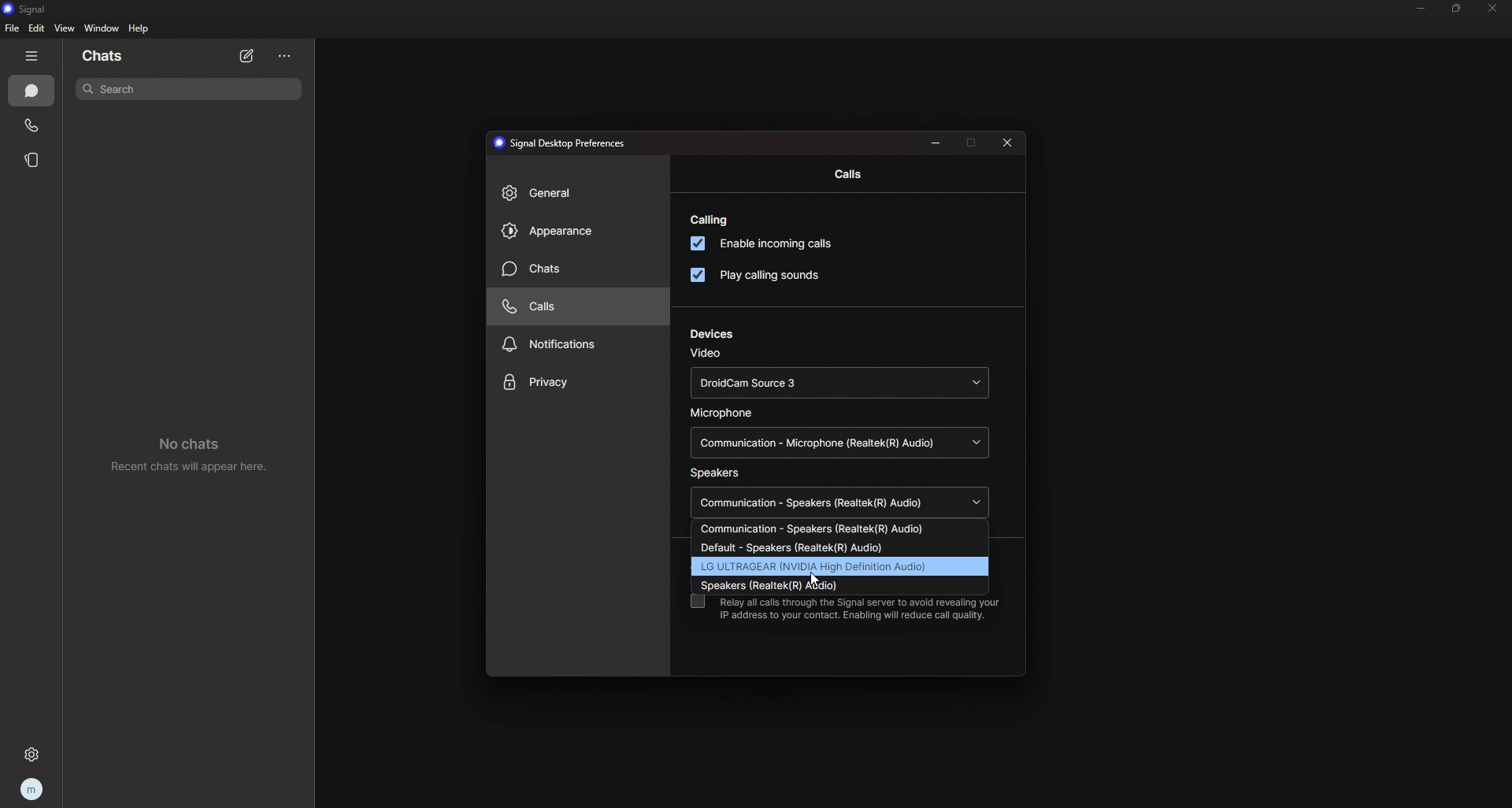  I want to click on devices, so click(714, 334).